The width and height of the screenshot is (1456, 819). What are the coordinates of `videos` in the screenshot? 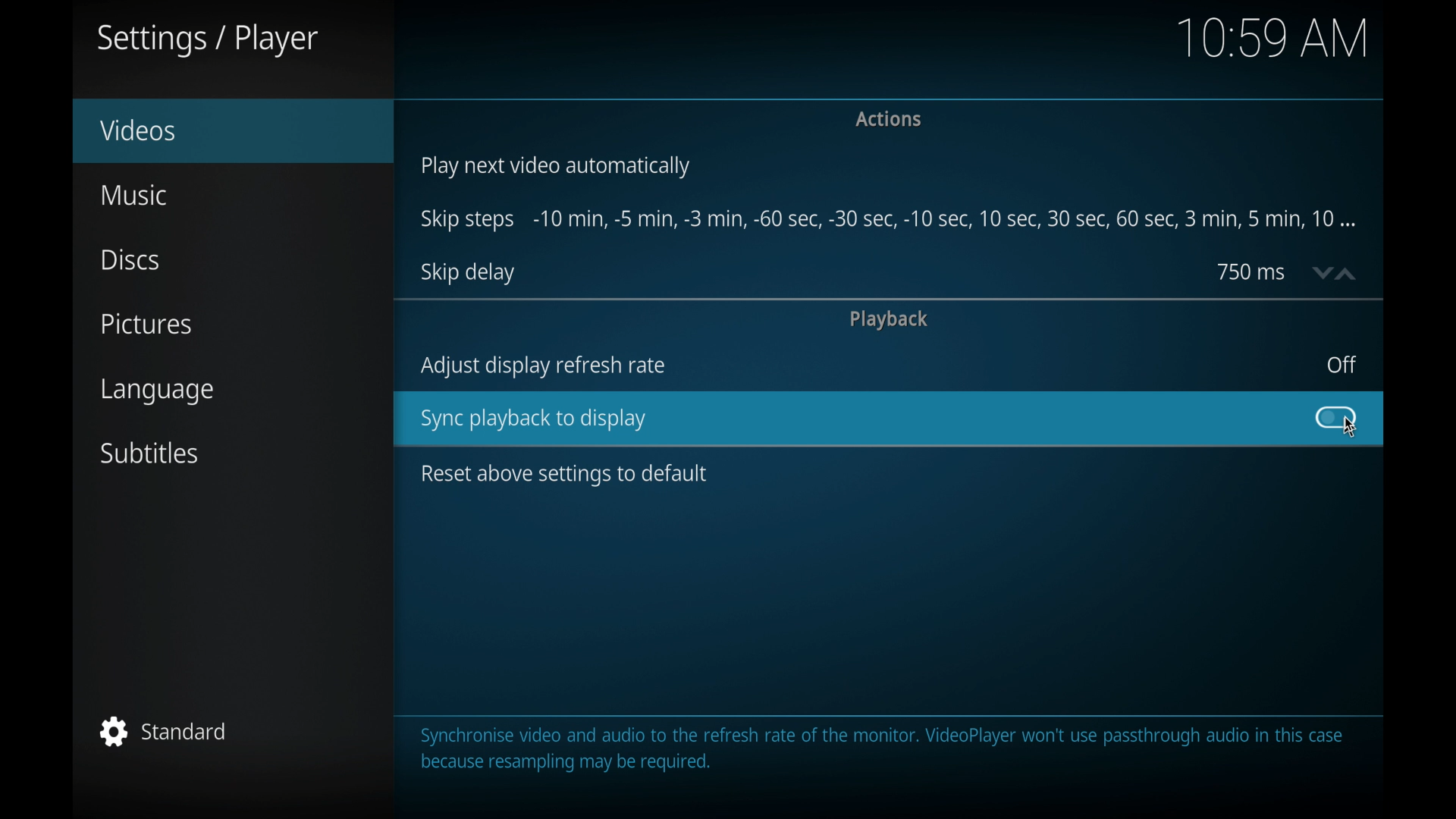 It's located at (138, 130).